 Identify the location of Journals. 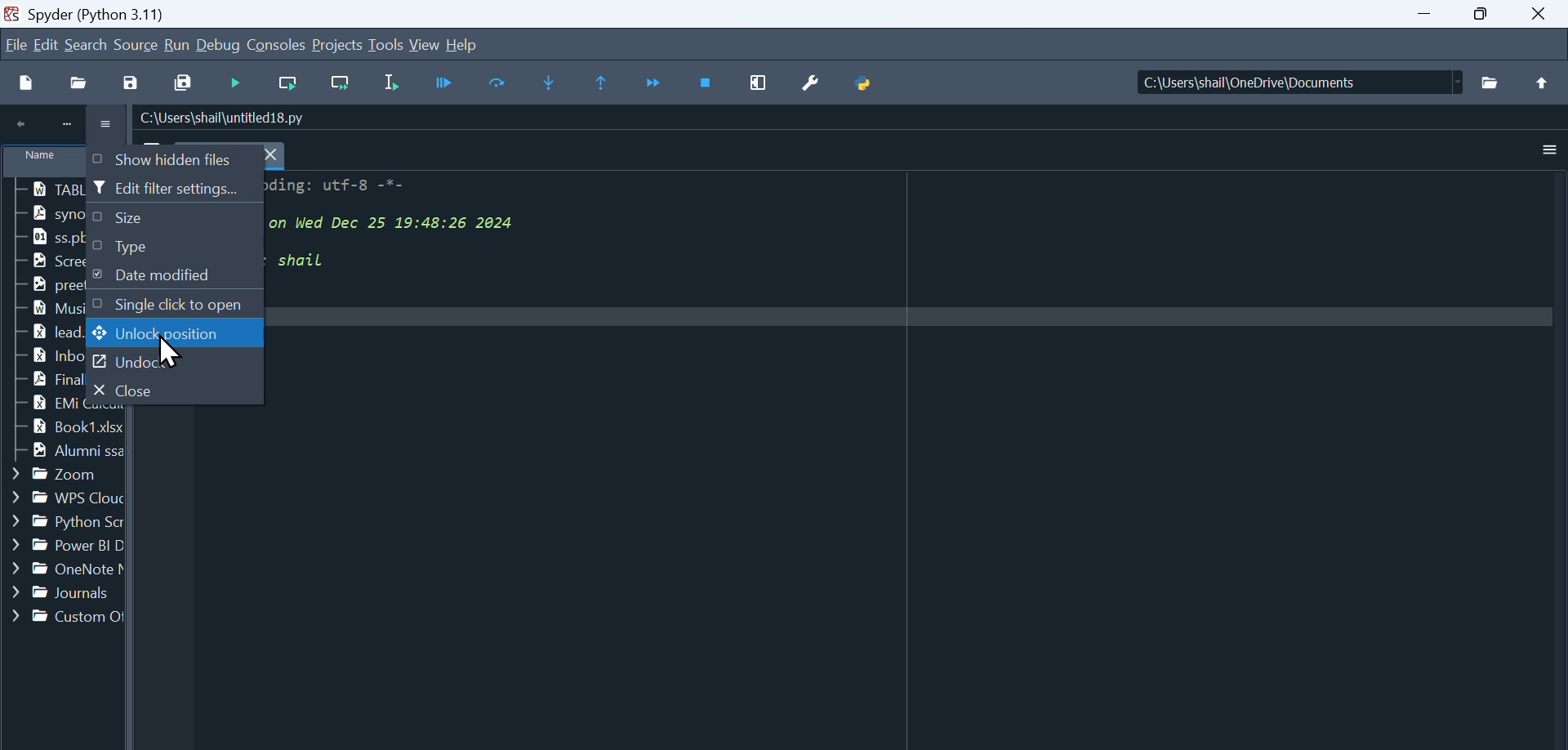
(62, 593).